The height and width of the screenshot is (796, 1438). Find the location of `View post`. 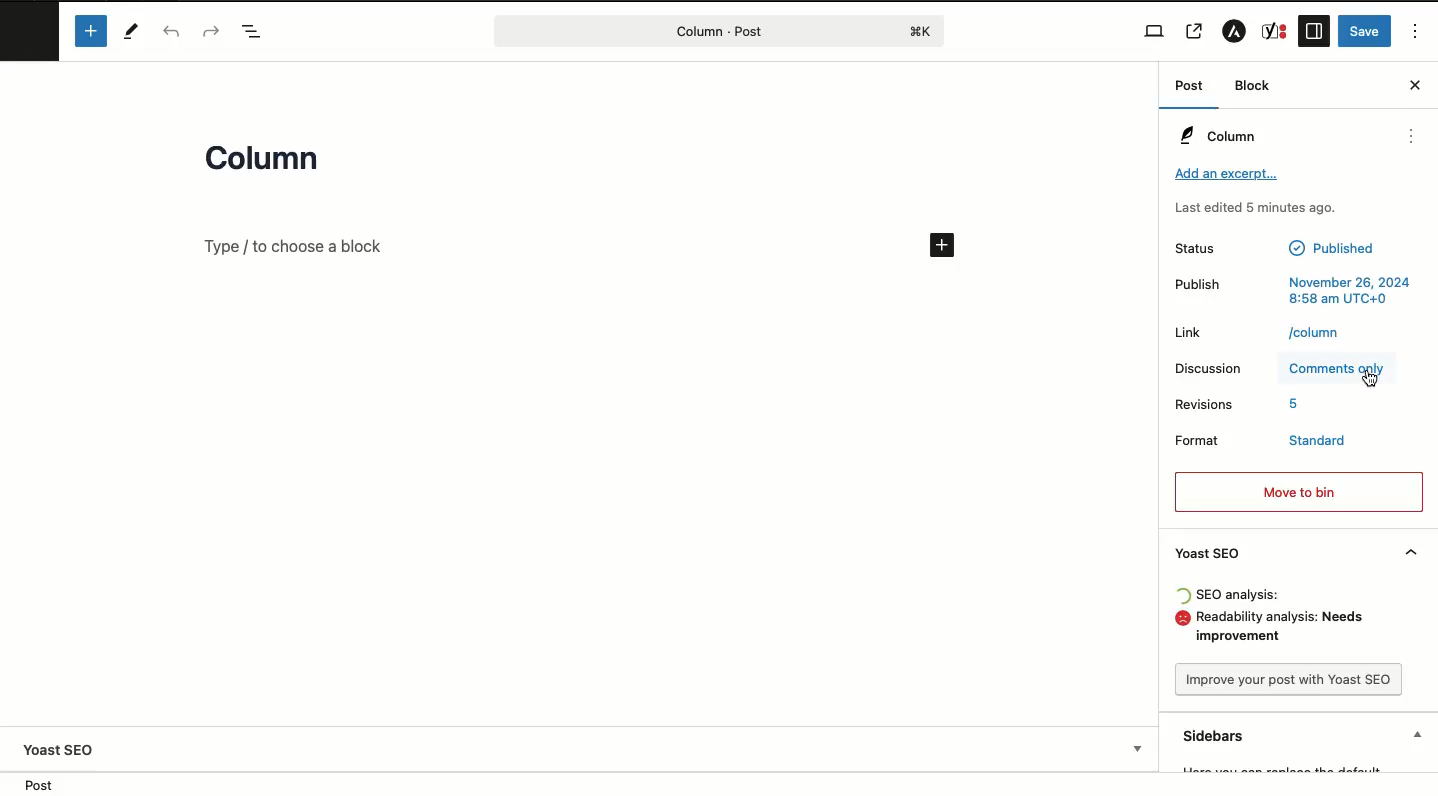

View post is located at coordinates (1195, 31).